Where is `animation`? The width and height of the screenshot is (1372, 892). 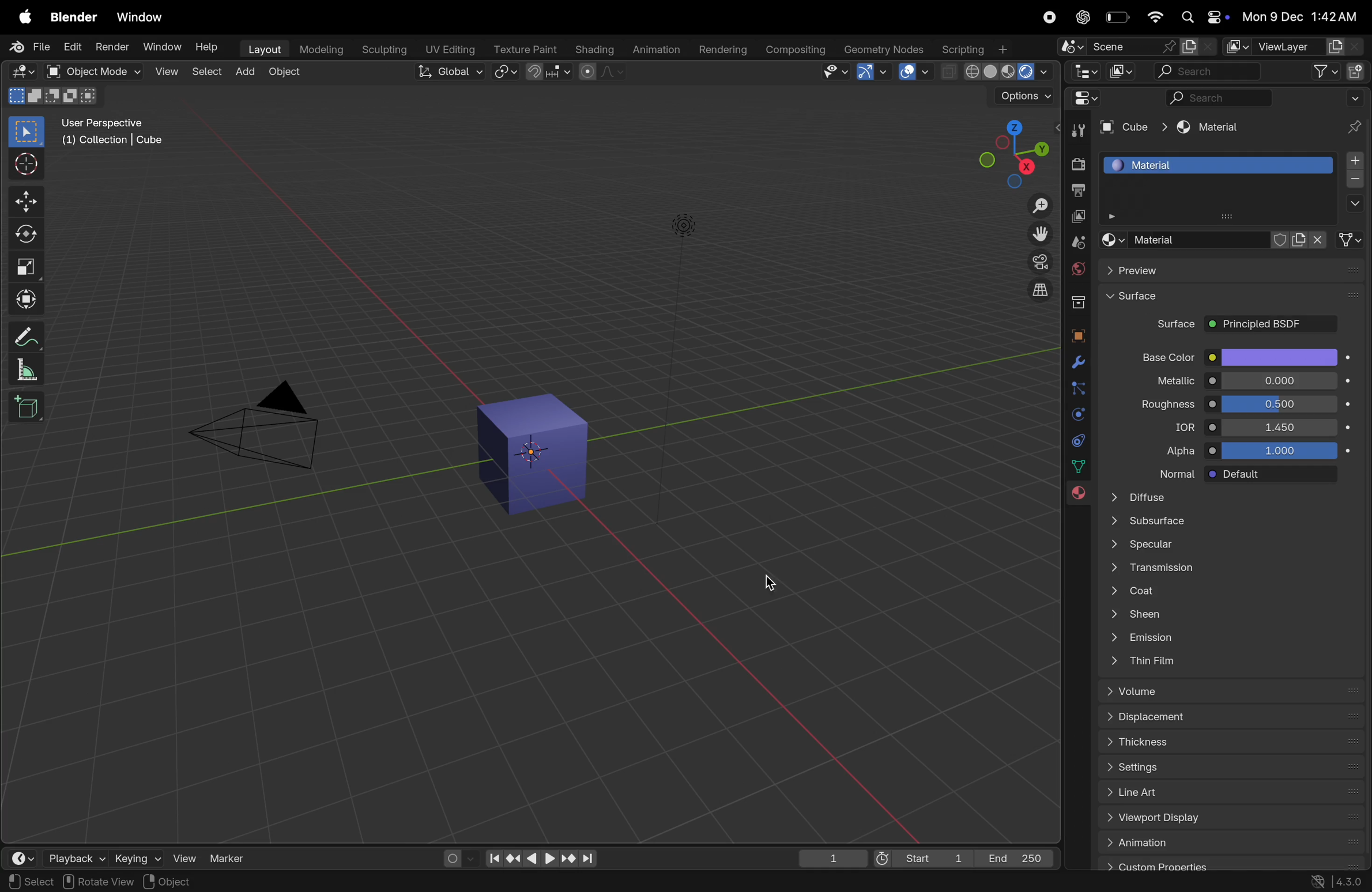
animation is located at coordinates (655, 51).